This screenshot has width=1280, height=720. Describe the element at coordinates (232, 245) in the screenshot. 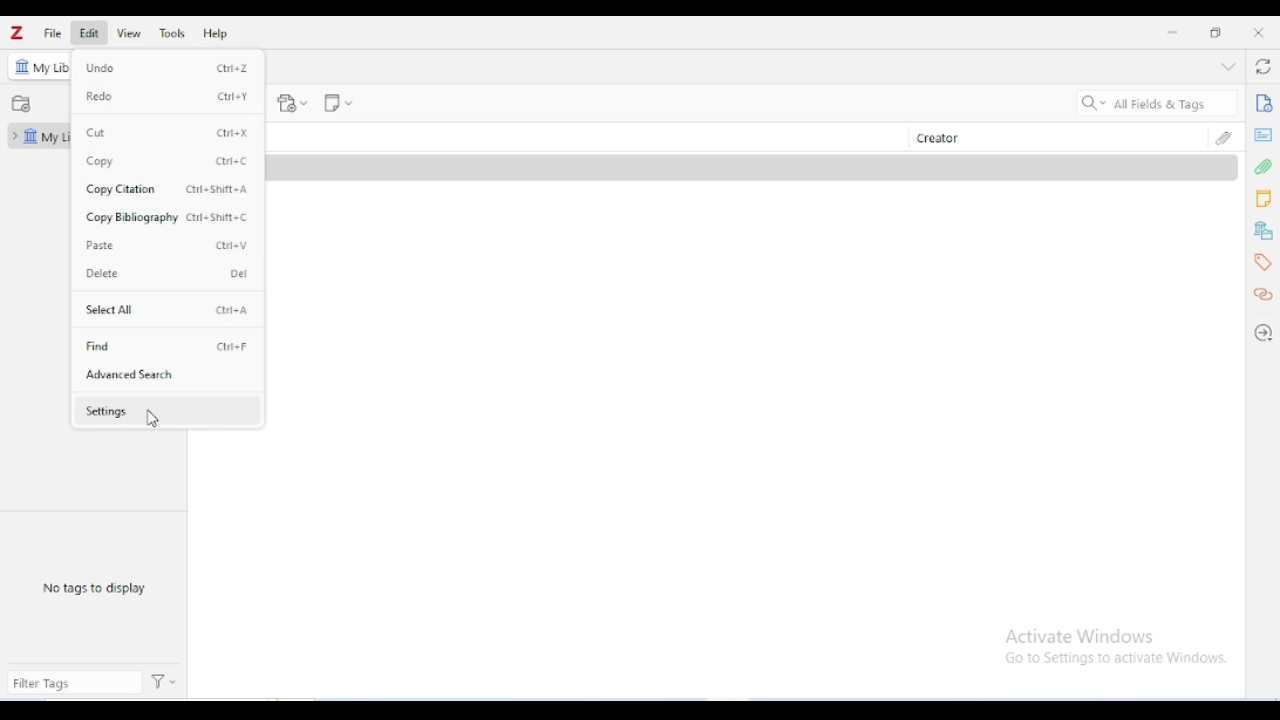

I see `ctrl+V` at that location.